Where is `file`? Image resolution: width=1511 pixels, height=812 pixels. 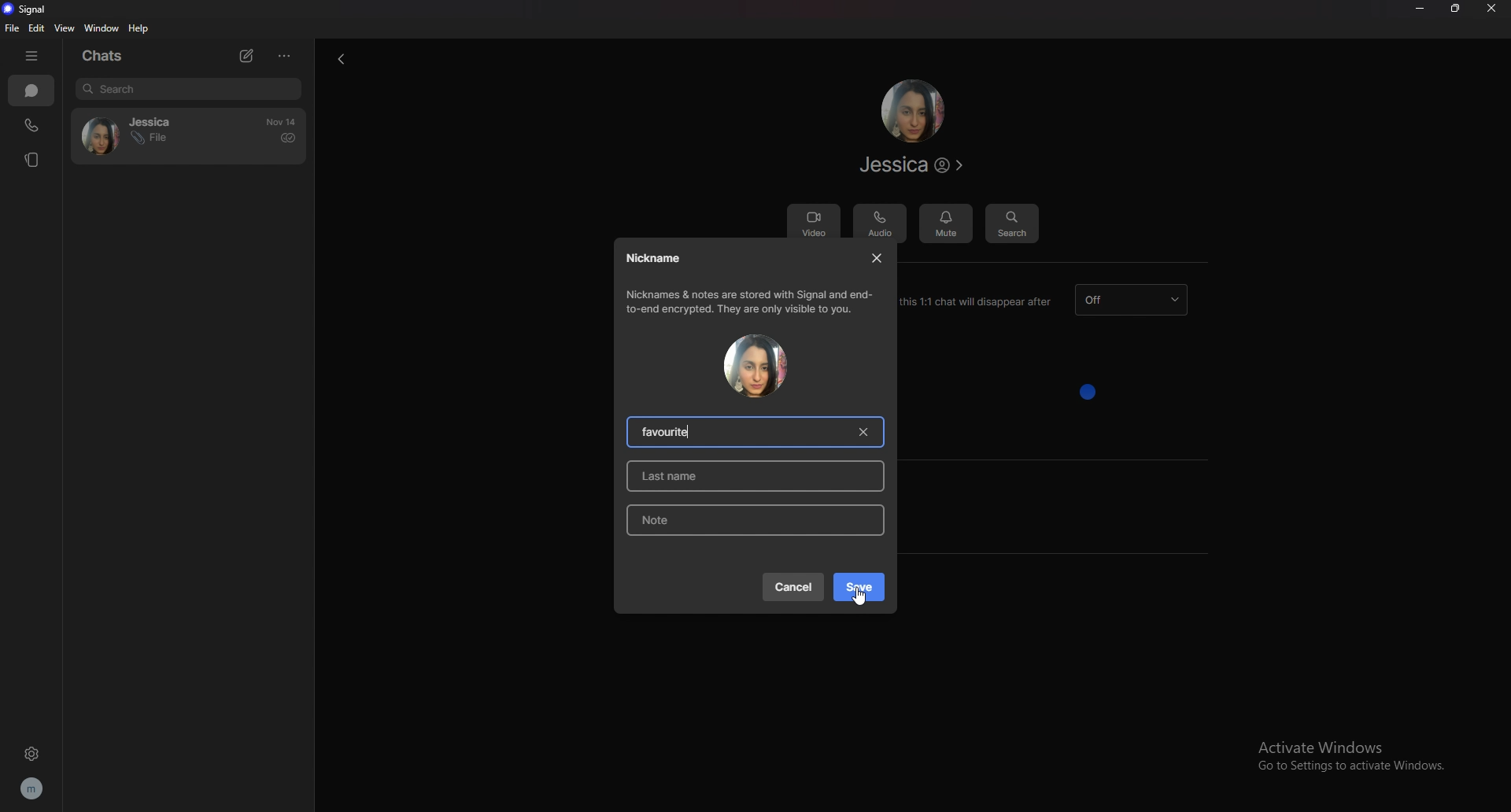
file is located at coordinates (13, 28).